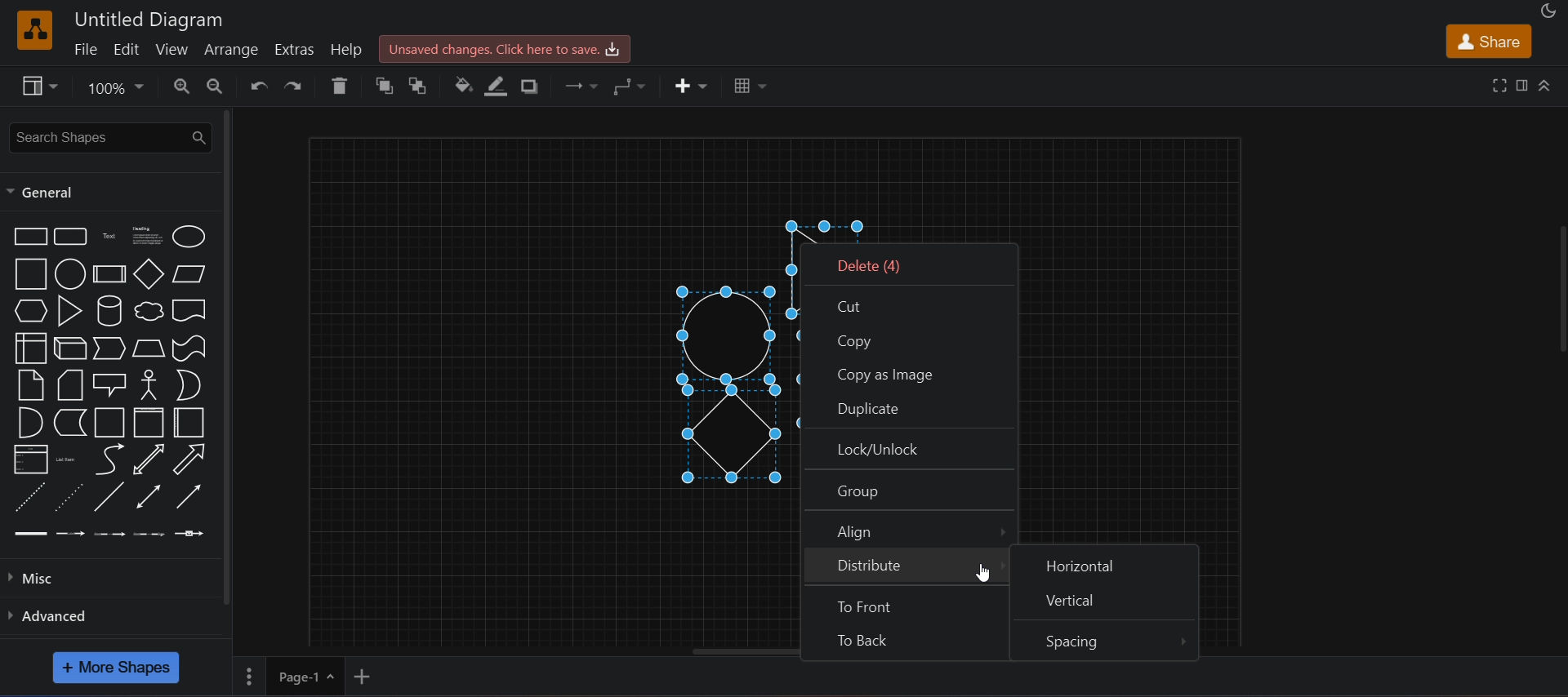 The height and width of the screenshot is (697, 1568). I want to click on horizontal, so click(1108, 564).